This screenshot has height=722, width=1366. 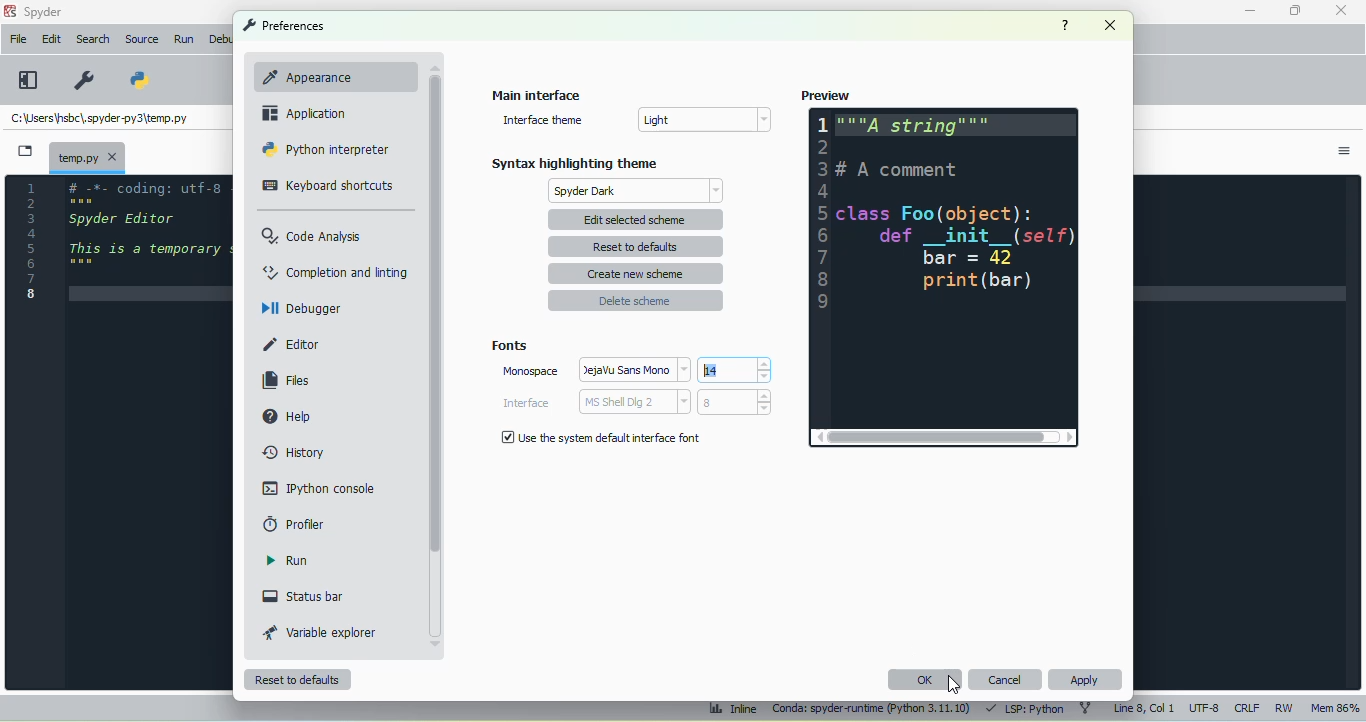 What do you see at coordinates (542, 120) in the screenshot?
I see `interface theme` at bounding box center [542, 120].